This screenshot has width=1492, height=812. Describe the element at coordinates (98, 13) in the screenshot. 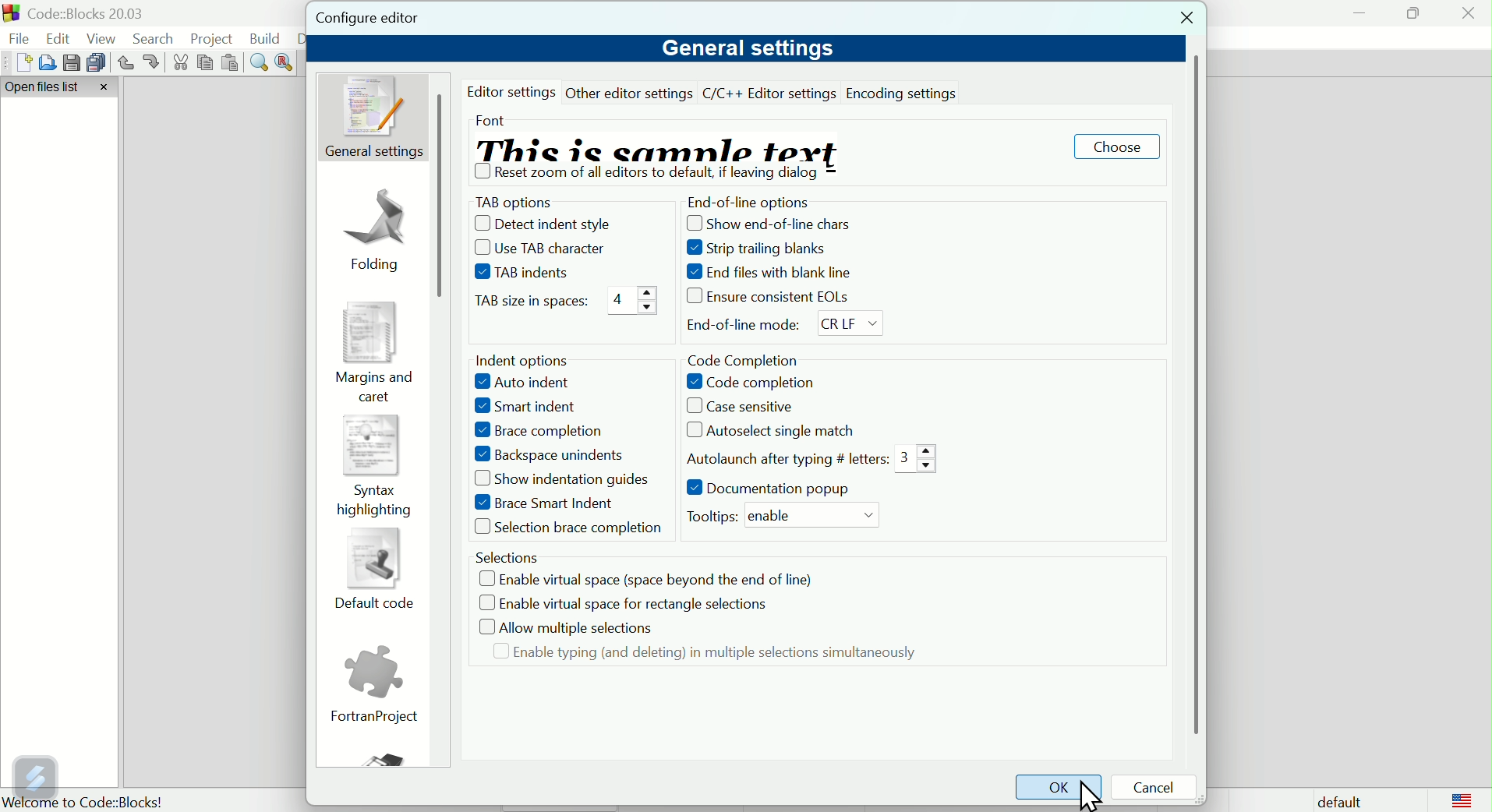

I see `Court blocks 2003` at that location.